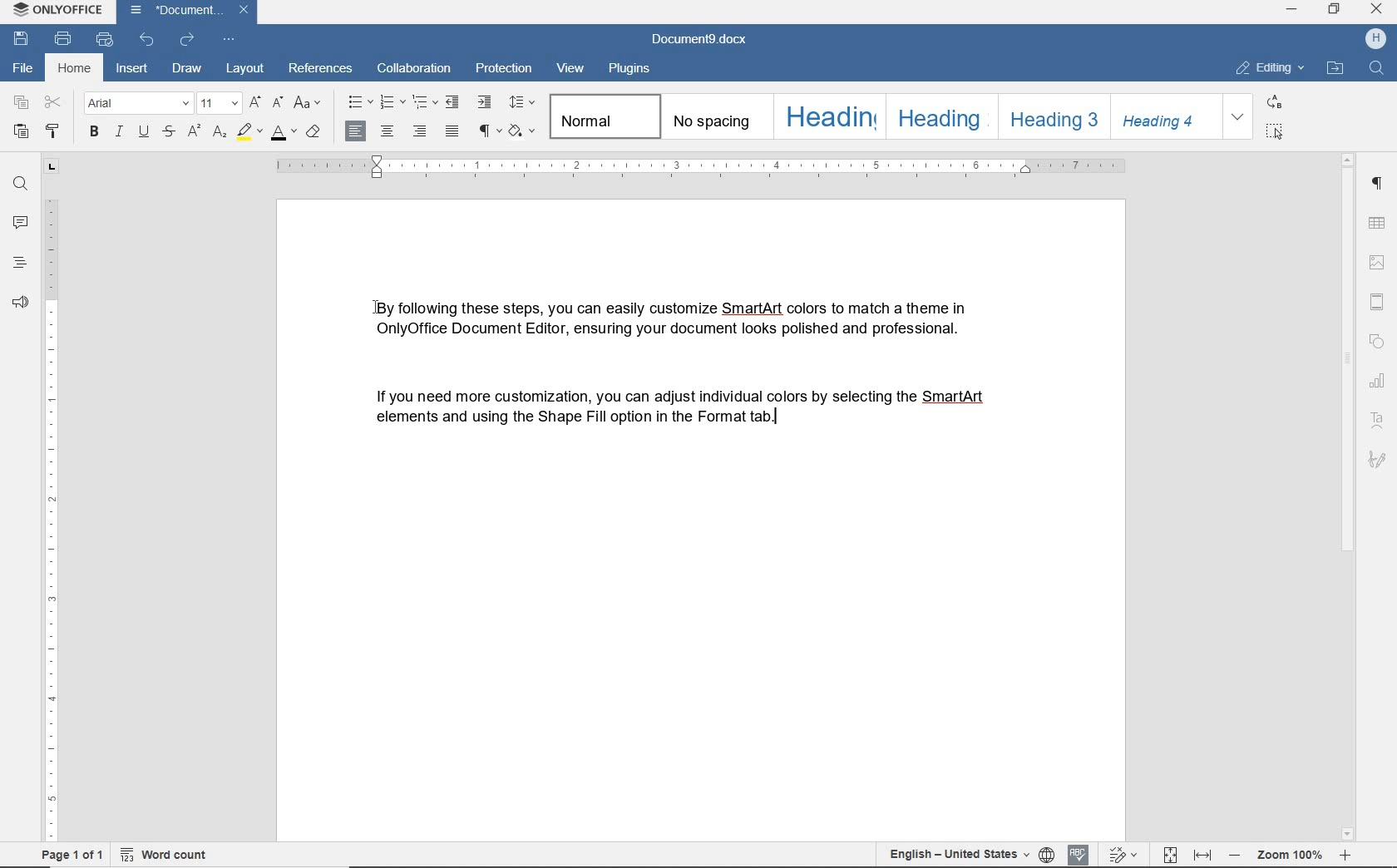  I want to click on hp, so click(1372, 38).